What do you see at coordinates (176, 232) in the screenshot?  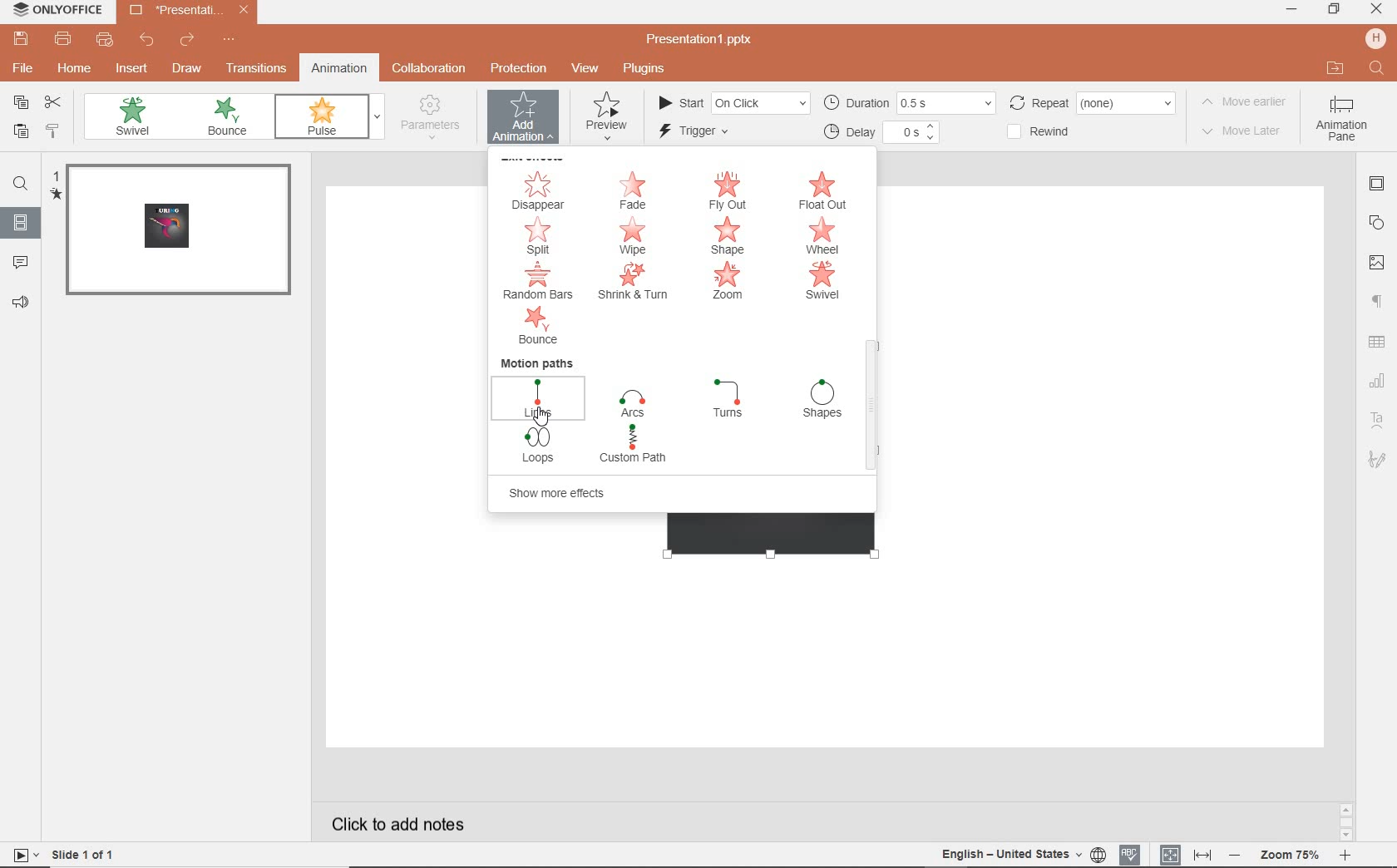 I see `slide 1` at bounding box center [176, 232].